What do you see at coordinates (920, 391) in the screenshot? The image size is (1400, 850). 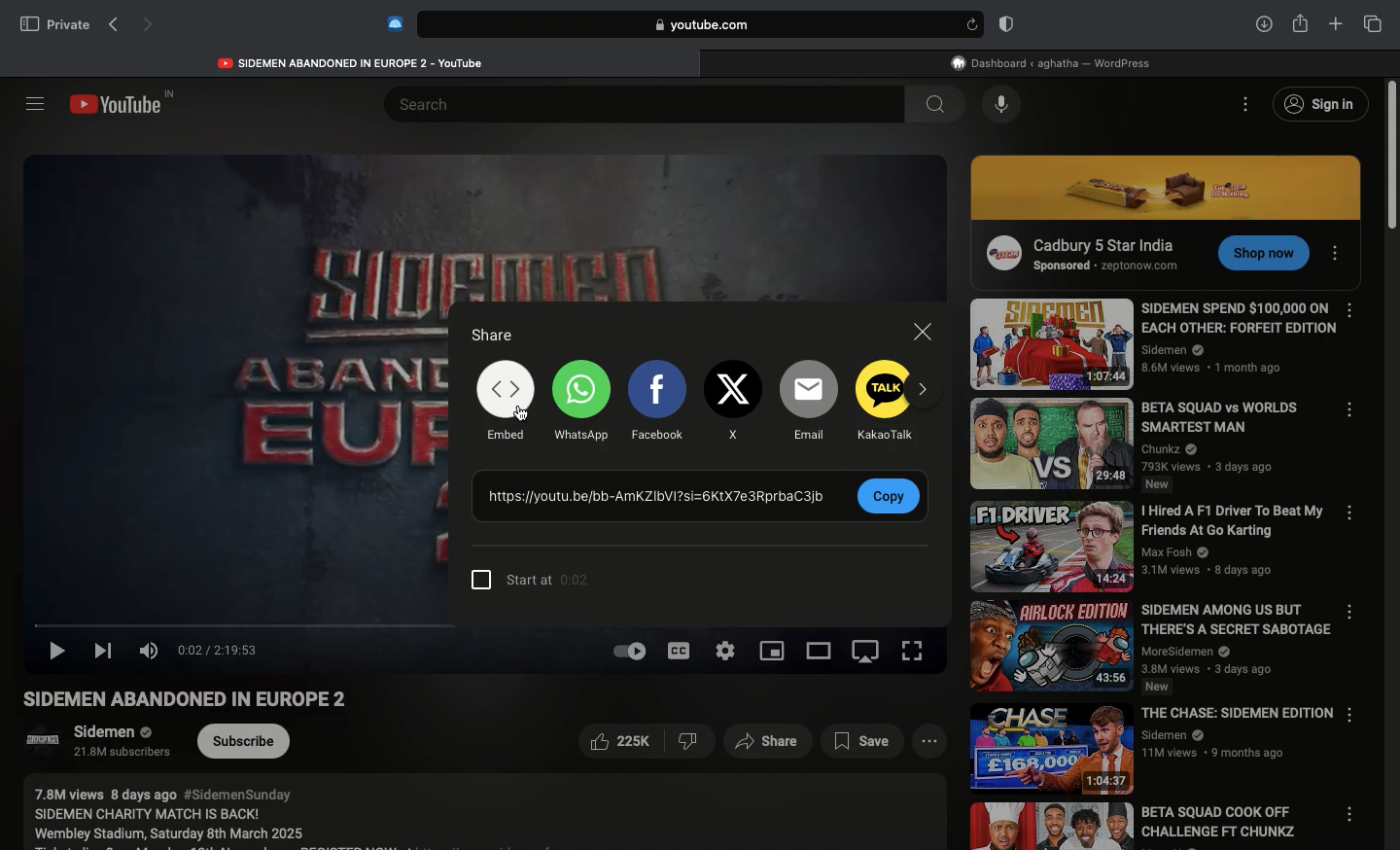 I see `Next` at bounding box center [920, 391].